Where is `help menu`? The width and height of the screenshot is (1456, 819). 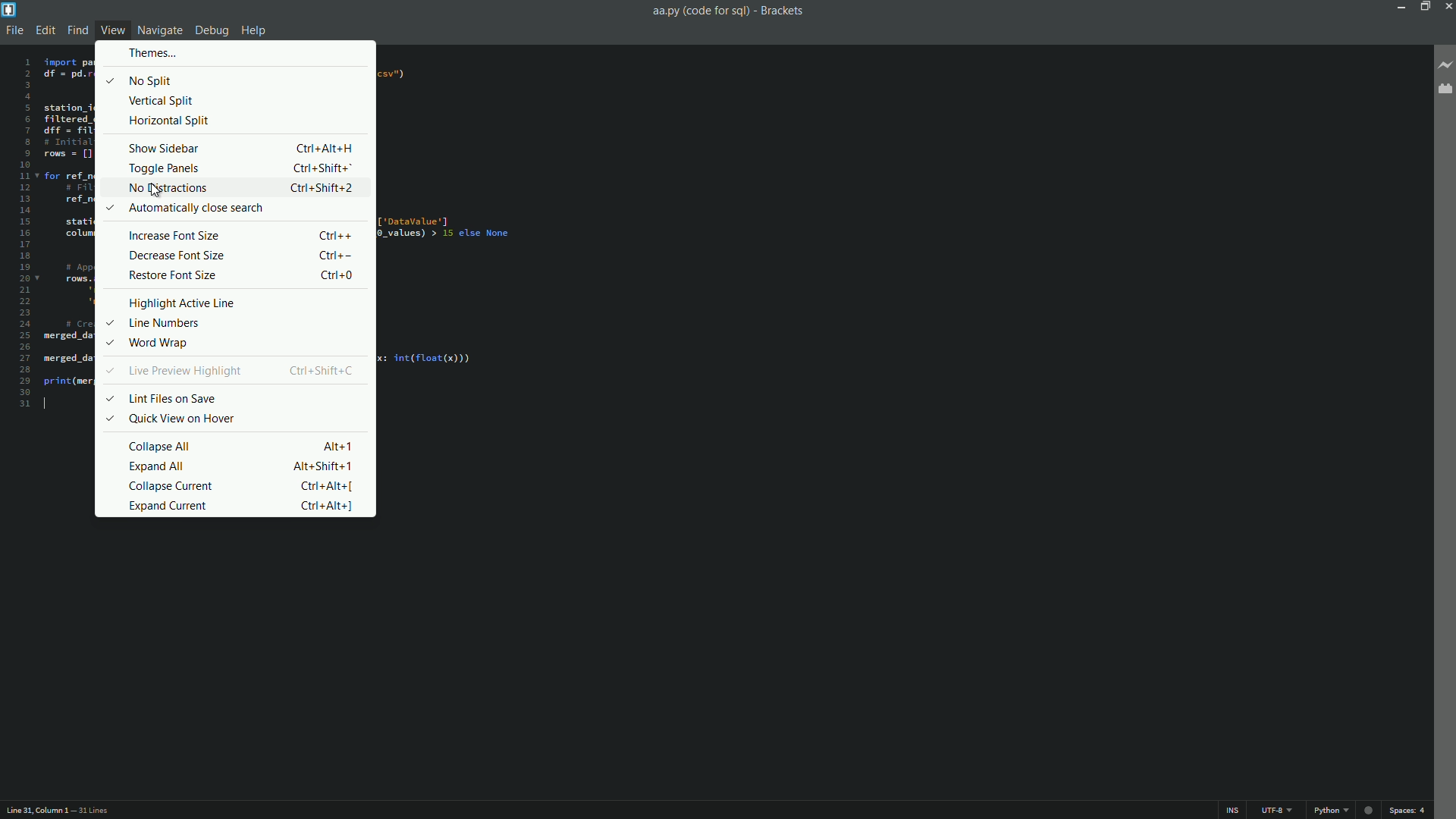
help menu is located at coordinates (253, 31).